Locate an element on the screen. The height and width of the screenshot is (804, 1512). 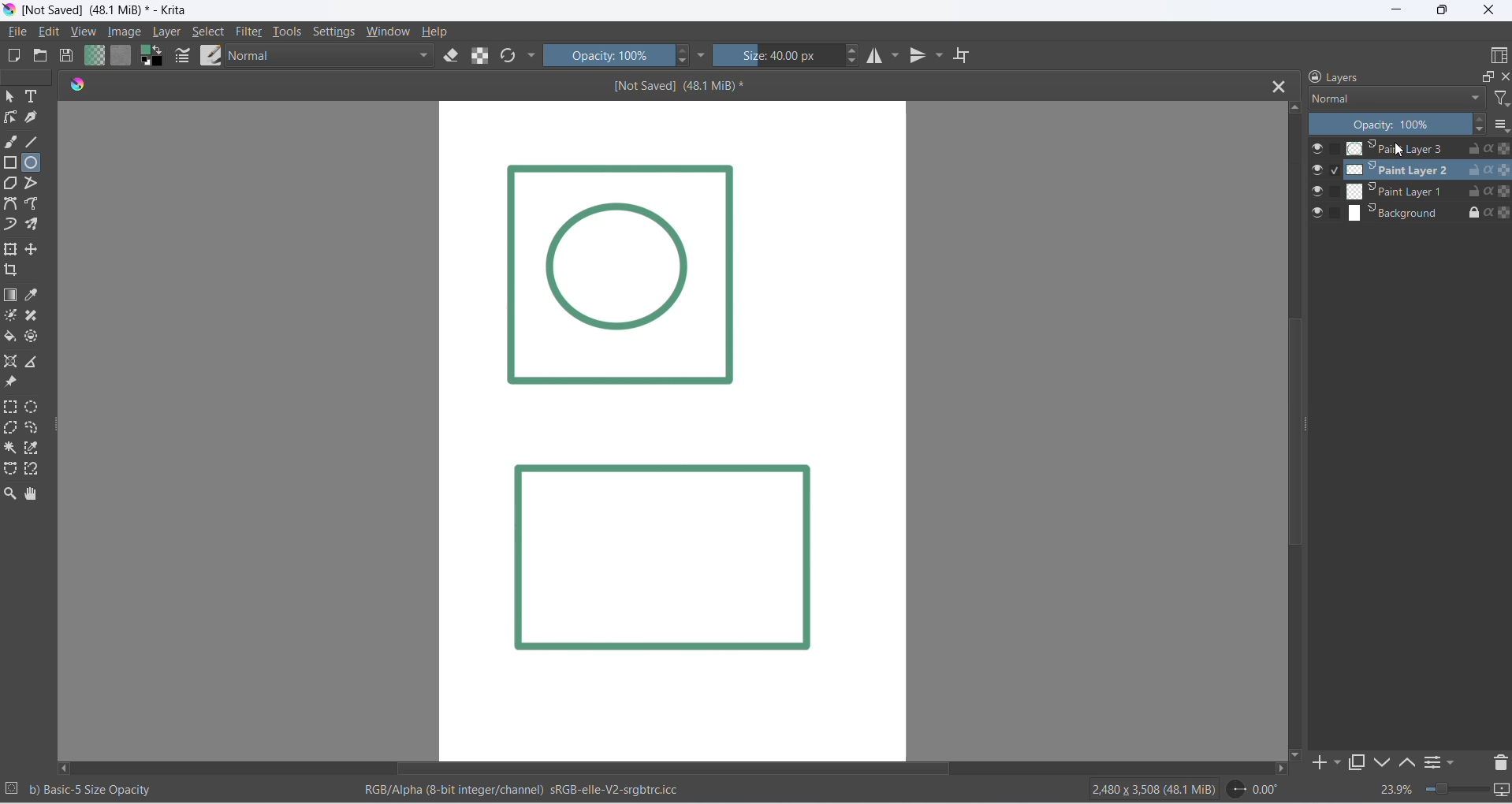
patch tool is located at coordinates (37, 315).